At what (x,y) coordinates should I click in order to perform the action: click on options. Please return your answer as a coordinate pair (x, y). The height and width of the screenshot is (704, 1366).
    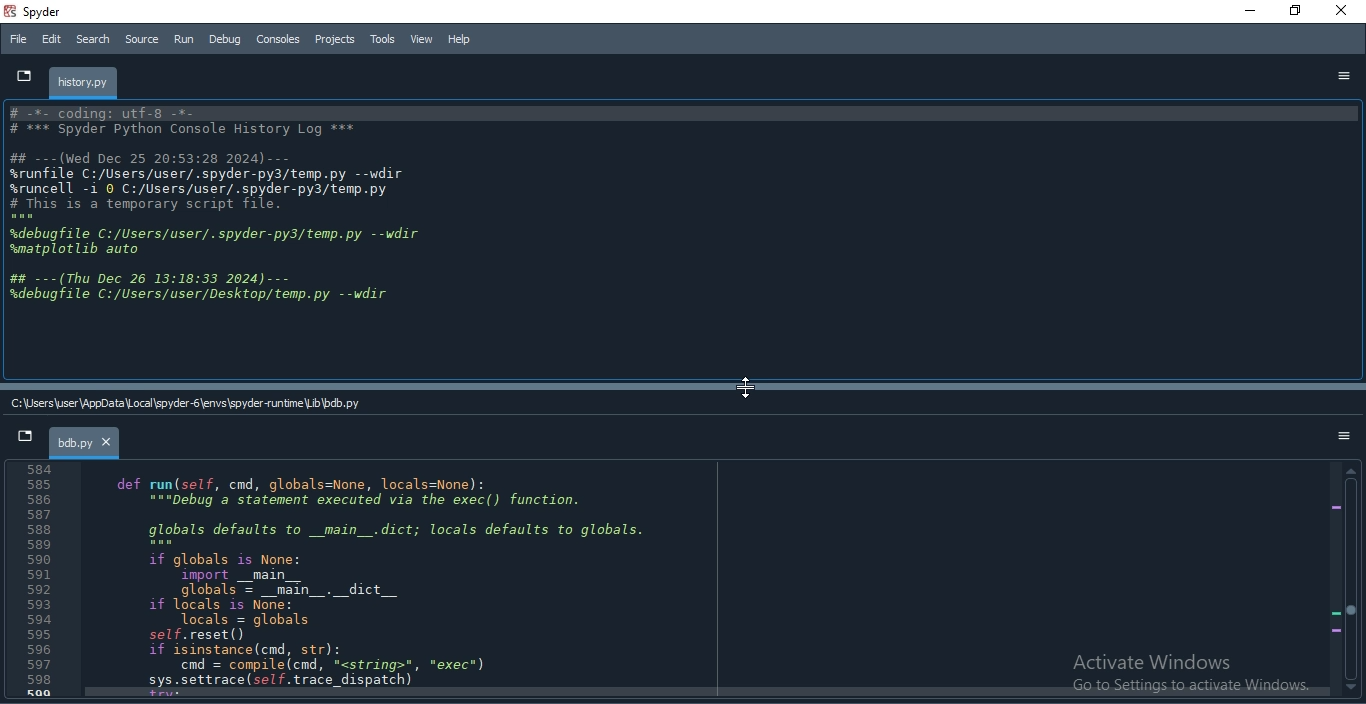
    Looking at the image, I should click on (1346, 434).